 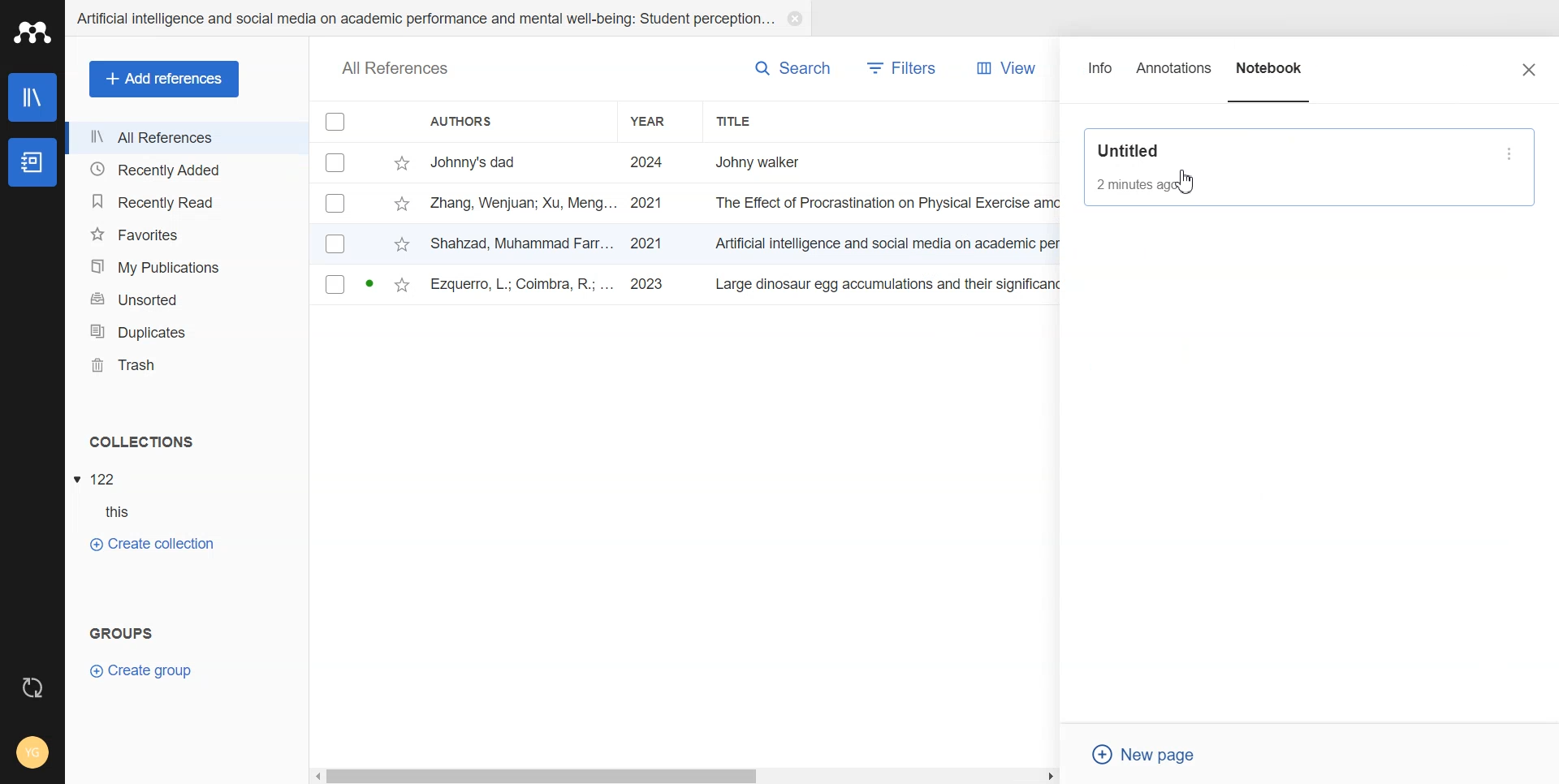 What do you see at coordinates (1512, 153) in the screenshot?
I see `More` at bounding box center [1512, 153].